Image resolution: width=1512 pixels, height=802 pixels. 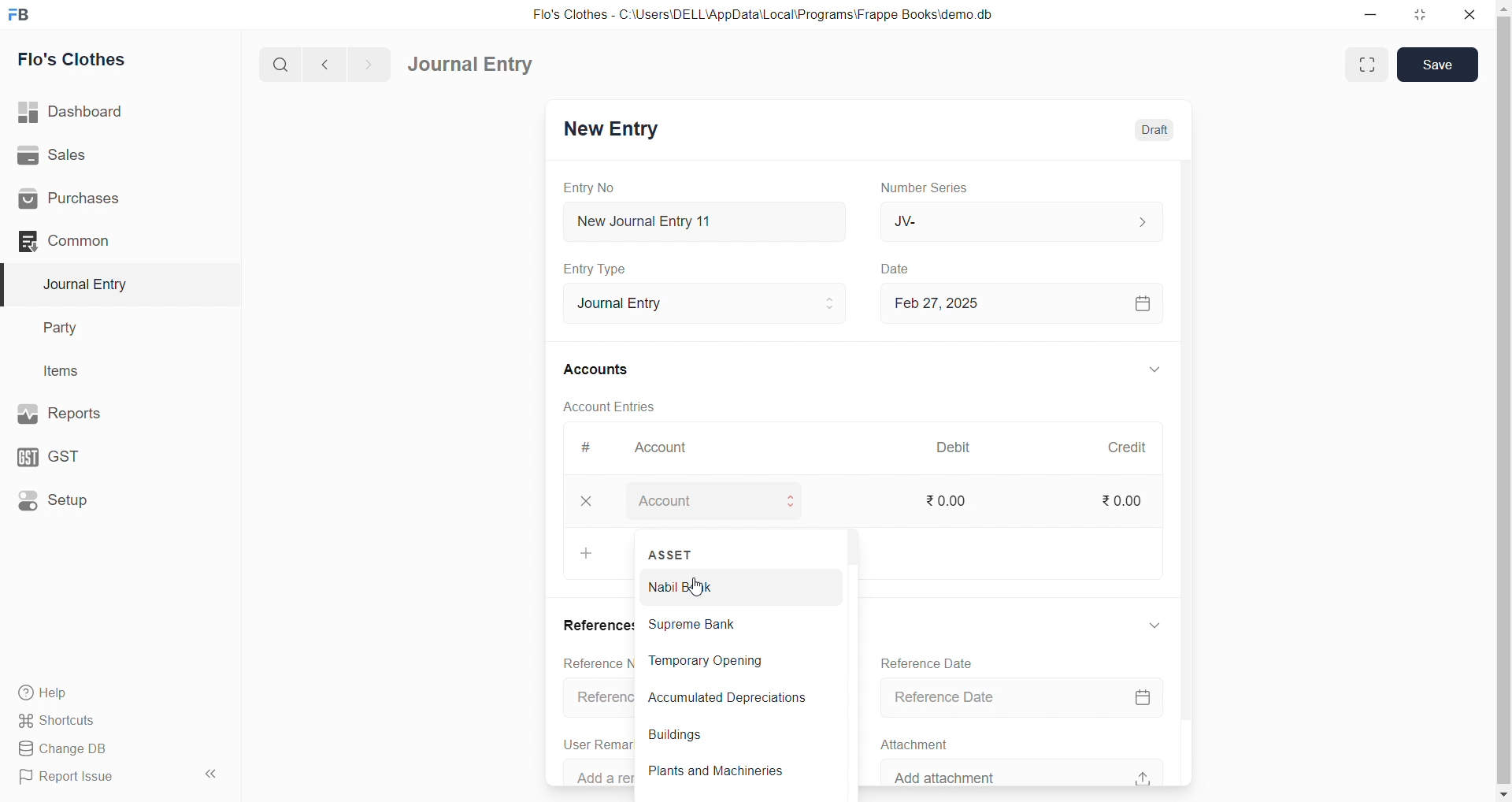 I want to click on Plants and Machineries, so click(x=727, y=774).